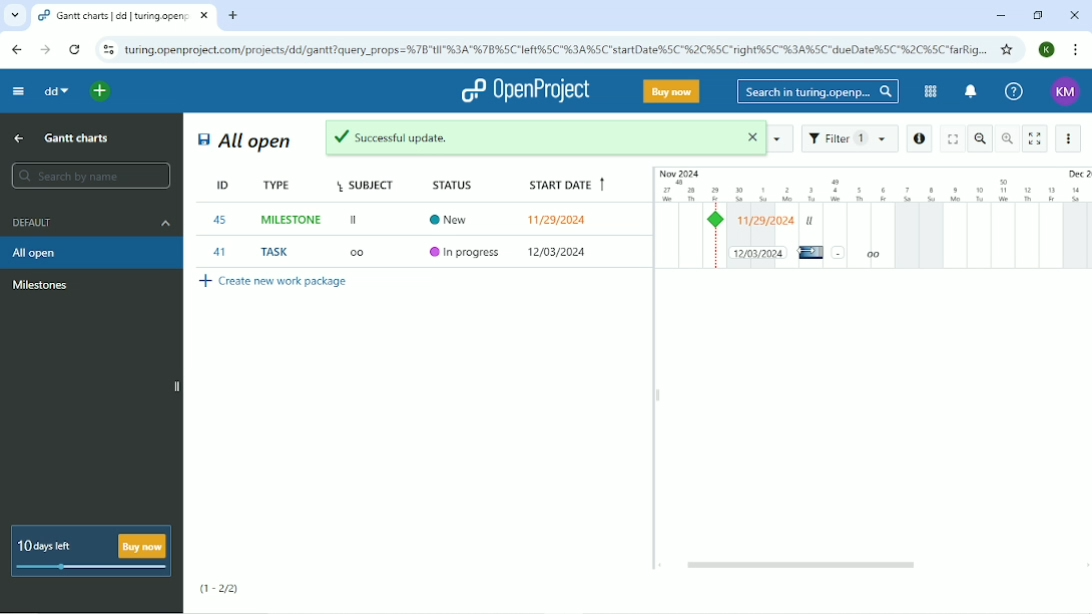 The width and height of the screenshot is (1092, 614). I want to click on Milestone, so click(719, 220).